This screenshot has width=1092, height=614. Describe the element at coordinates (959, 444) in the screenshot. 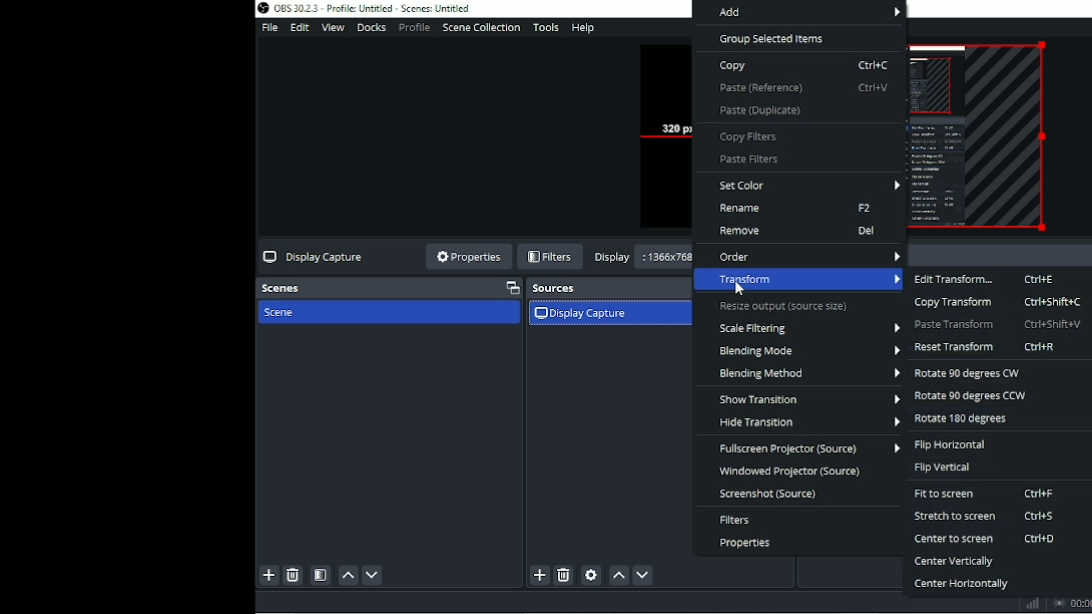

I see `Flip horizontal` at that location.